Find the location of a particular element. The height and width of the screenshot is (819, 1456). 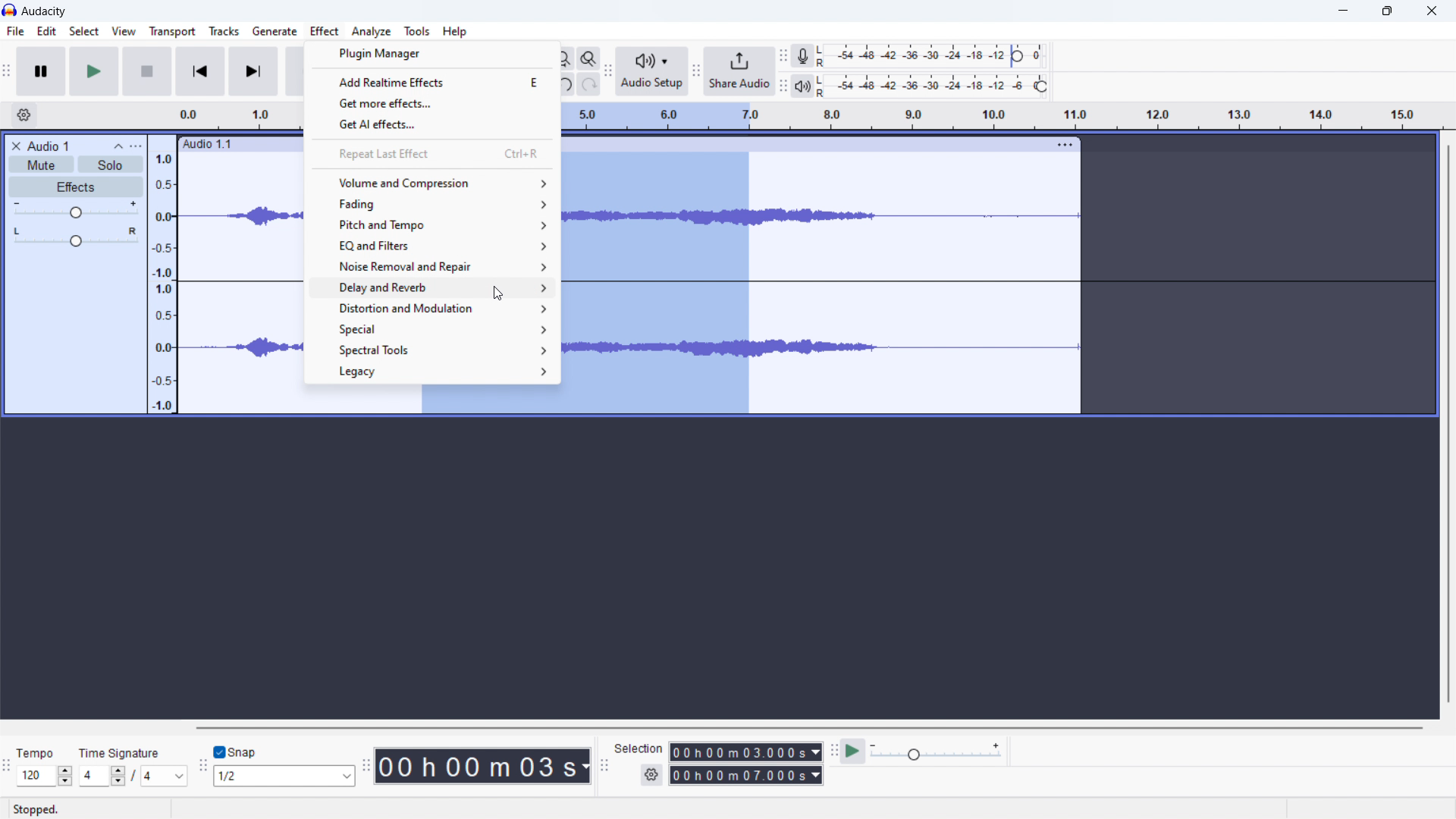

more options is located at coordinates (1066, 146).